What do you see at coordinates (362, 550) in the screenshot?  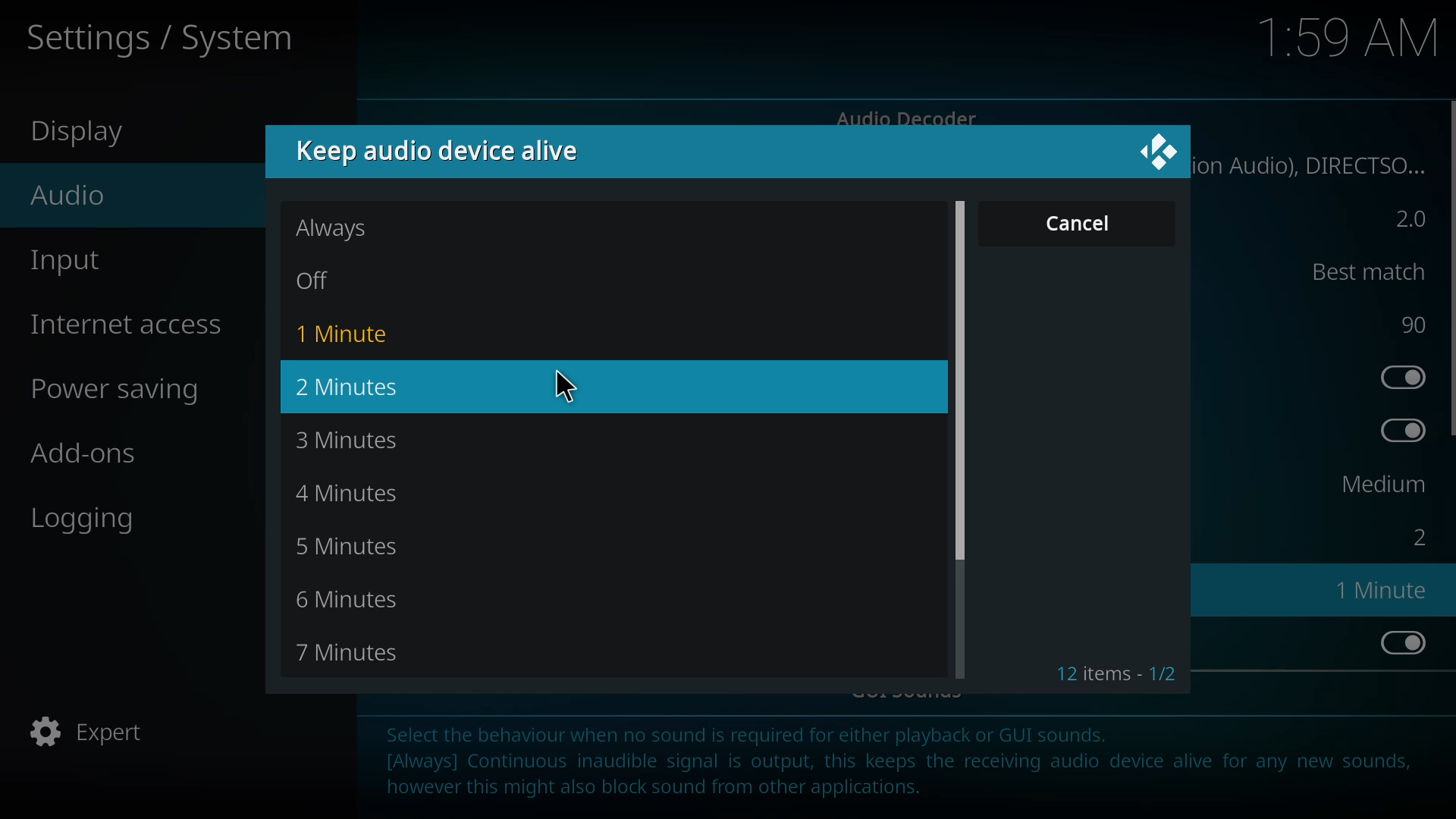 I see `5 min` at bounding box center [362, 550].